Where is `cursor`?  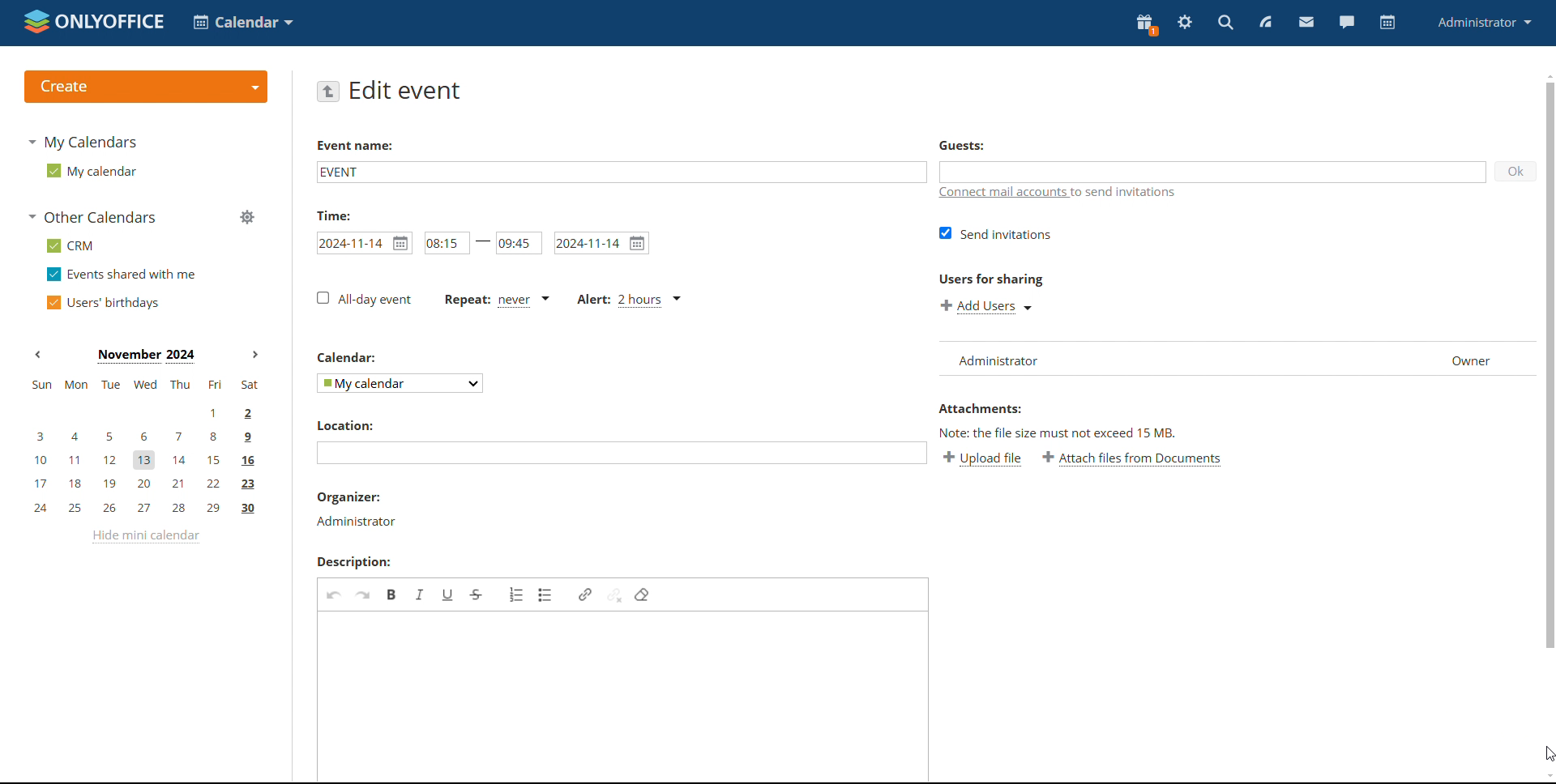 cursor is located at coordinates (1546, 754).